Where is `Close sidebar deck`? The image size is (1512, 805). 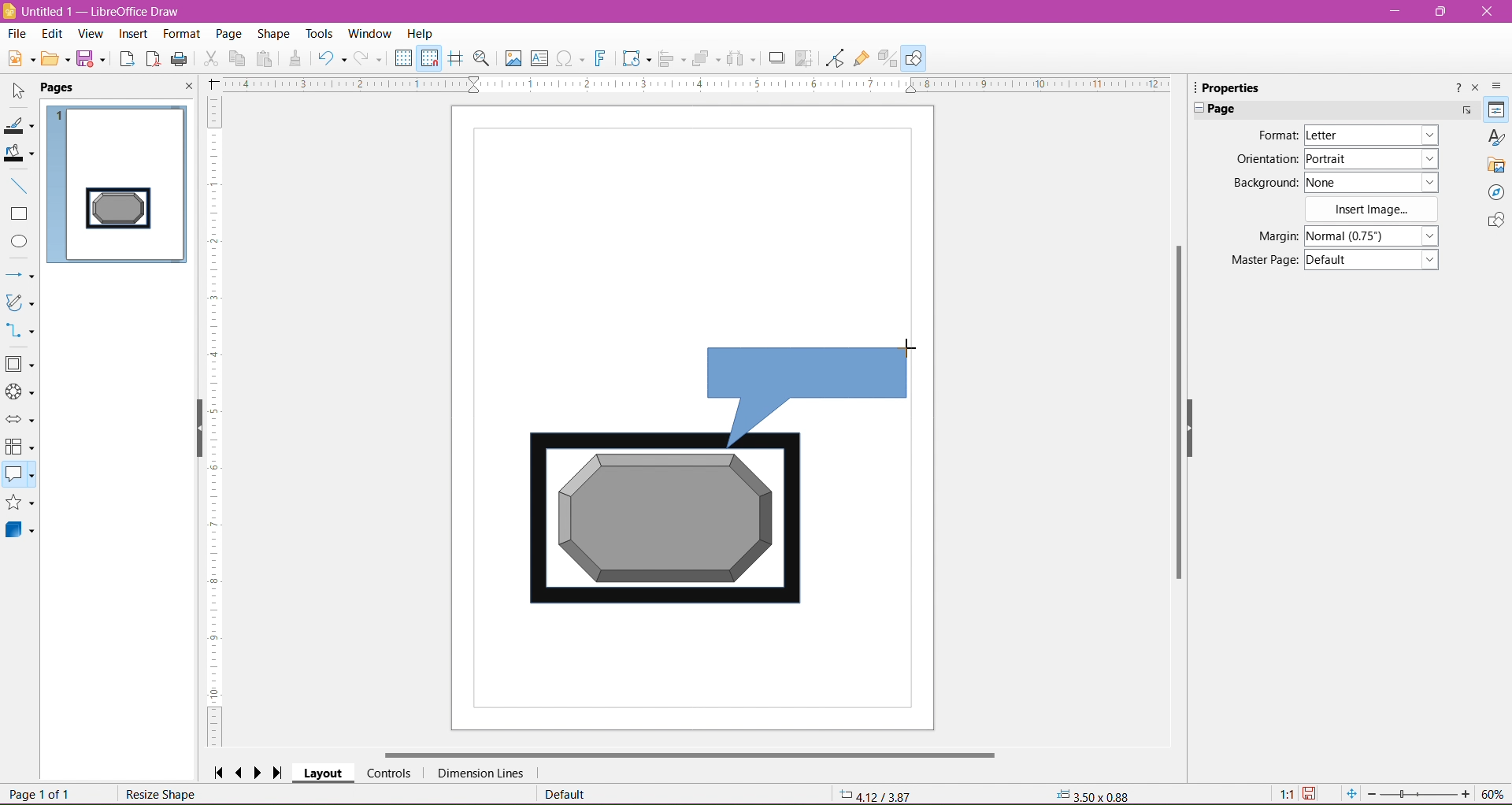
Close sidebar deck is located at coordinates (1477, 88).